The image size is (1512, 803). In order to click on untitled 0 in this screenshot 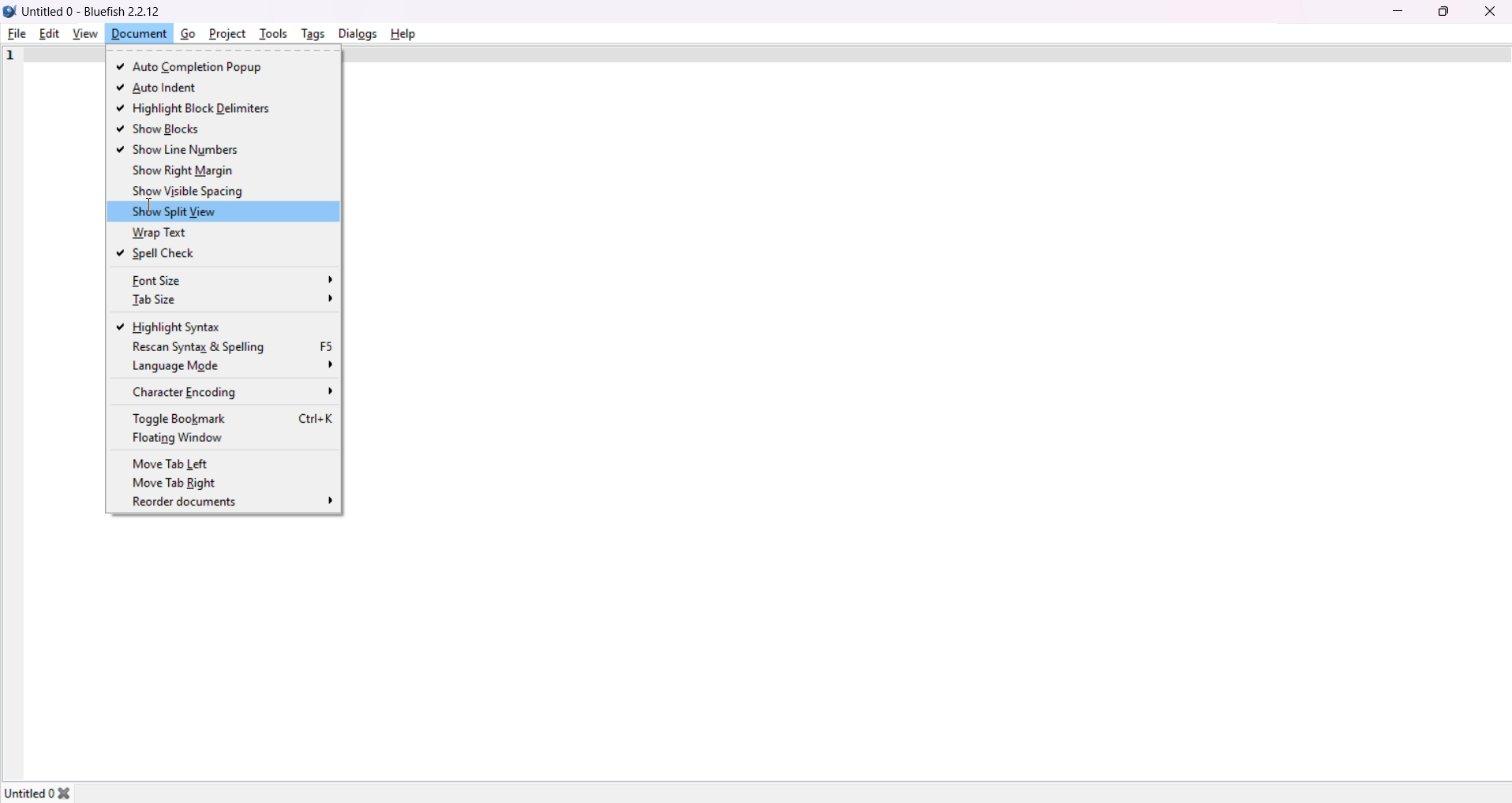, I will do `click(28, 788)`.